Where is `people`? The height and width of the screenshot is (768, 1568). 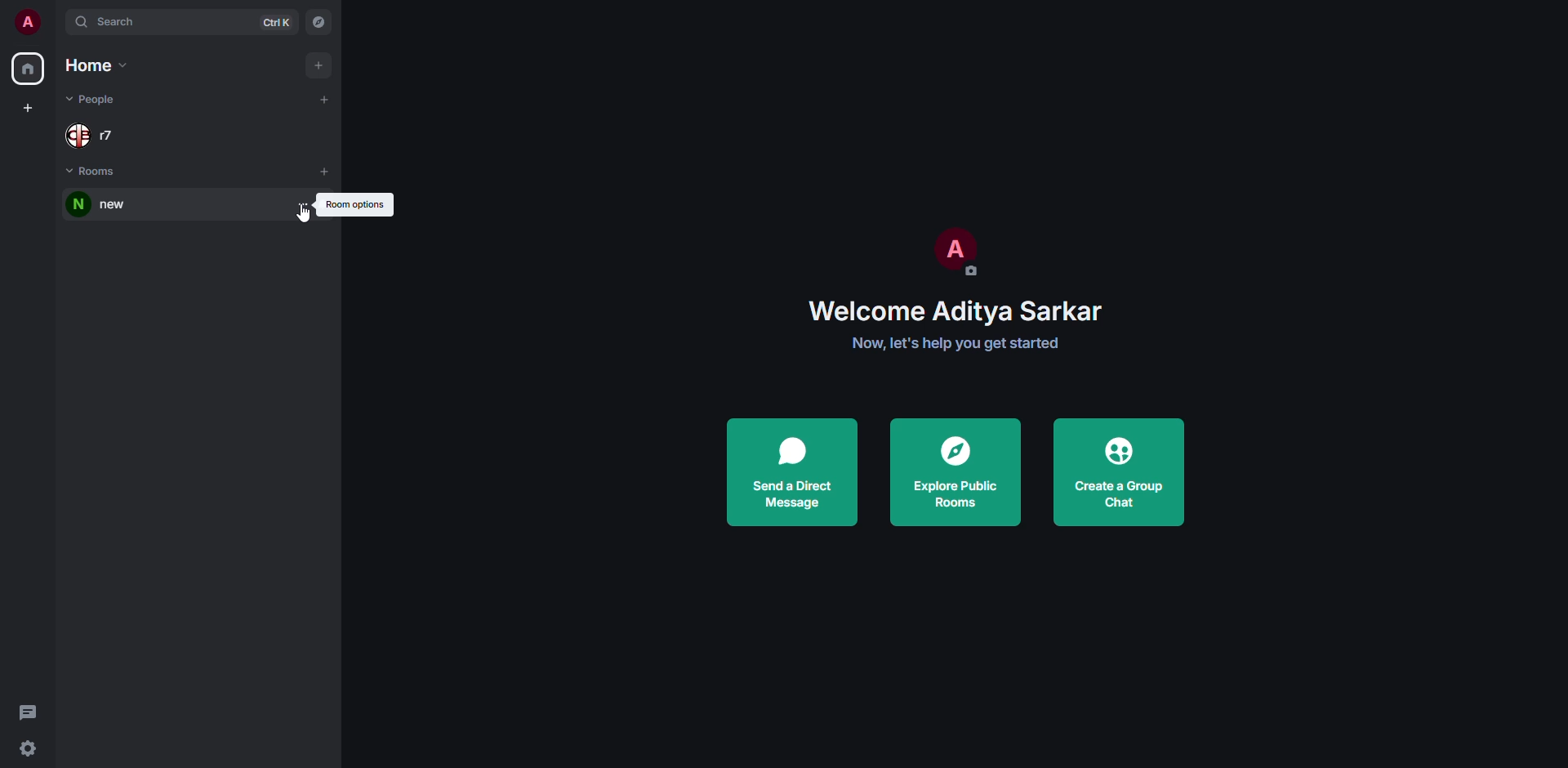 people is located at coordinates (99, 134).